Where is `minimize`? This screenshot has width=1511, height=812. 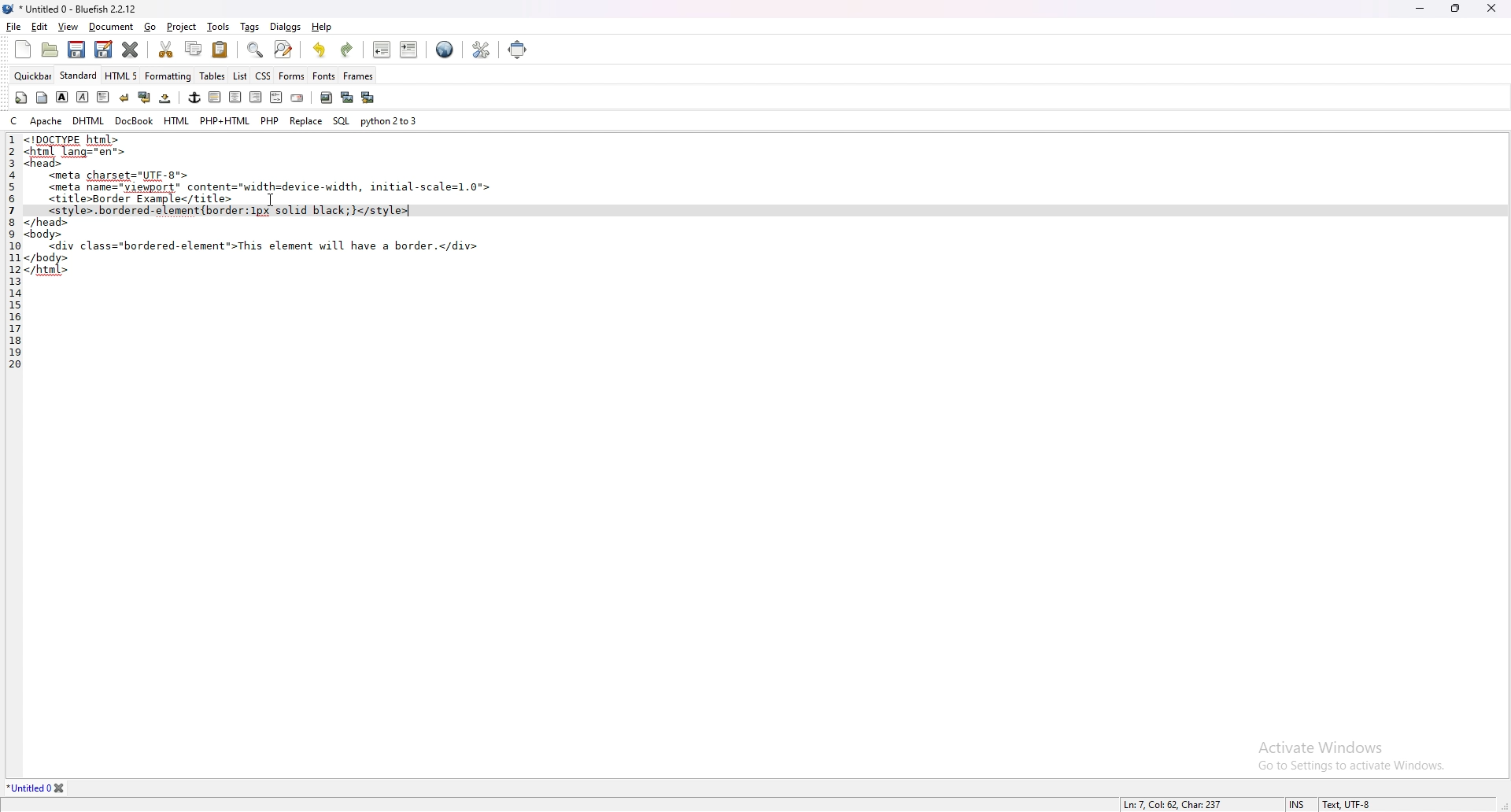
minimize is located at coordinates (1422, 8).